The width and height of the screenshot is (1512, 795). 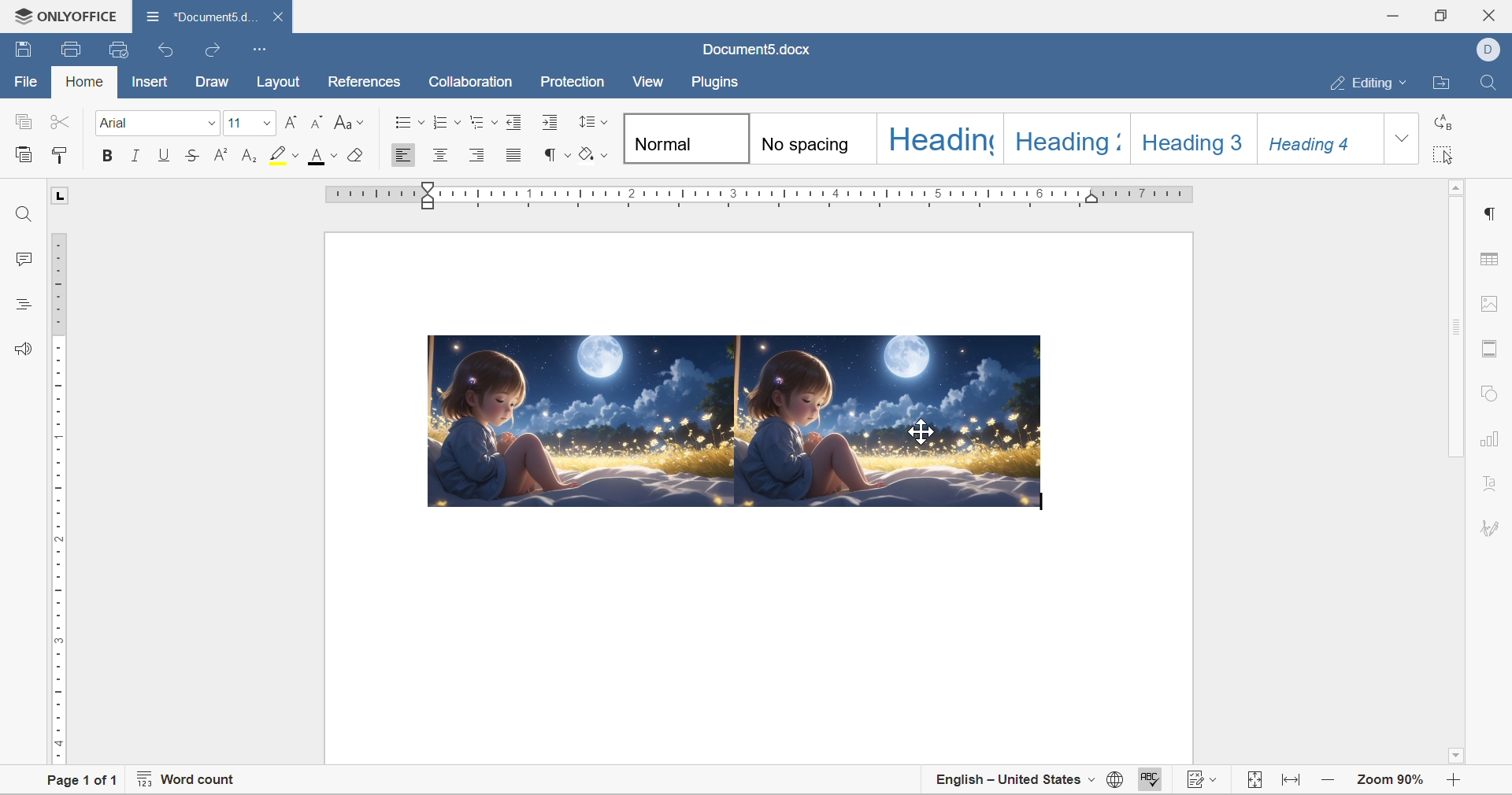 What do you see at coordinates (286, 154) in the screenshot?
I see `highlight color` at bounding box center [286, 154].